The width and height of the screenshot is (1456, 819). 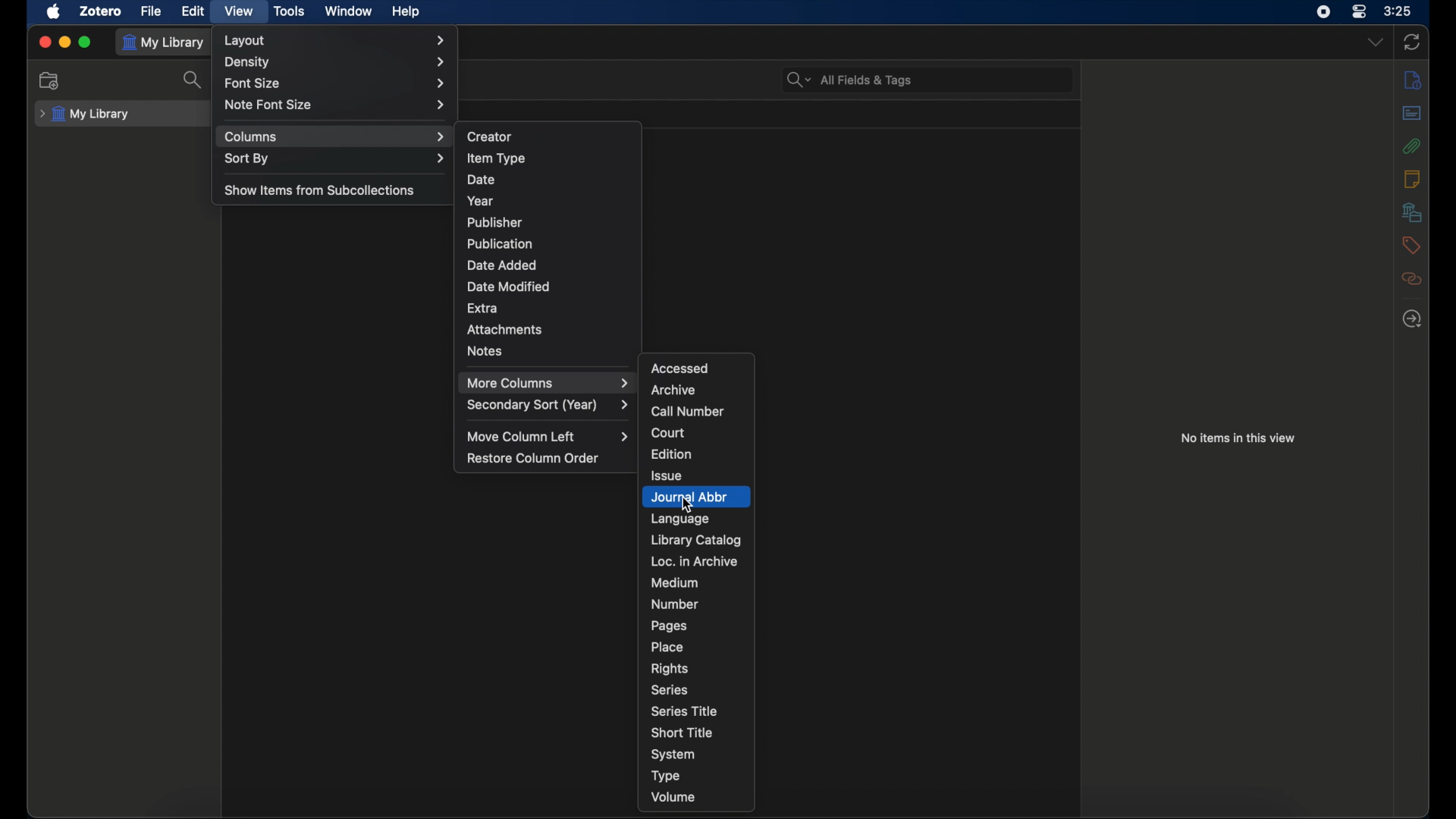 I want to click on note font size, so click(x=337, y=105).